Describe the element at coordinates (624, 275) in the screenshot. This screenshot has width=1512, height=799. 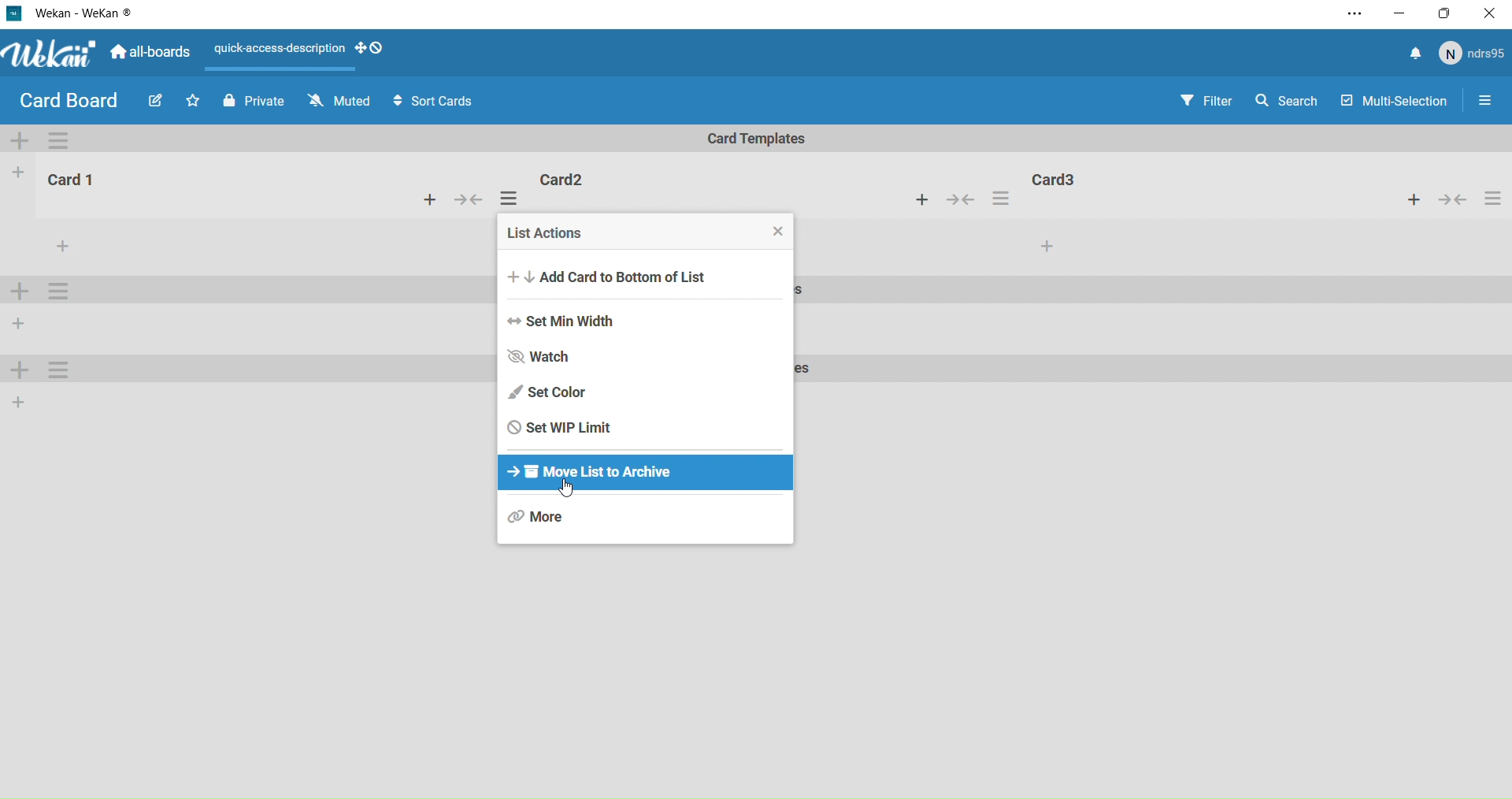
I see `Add card to bottom of list` at that location.